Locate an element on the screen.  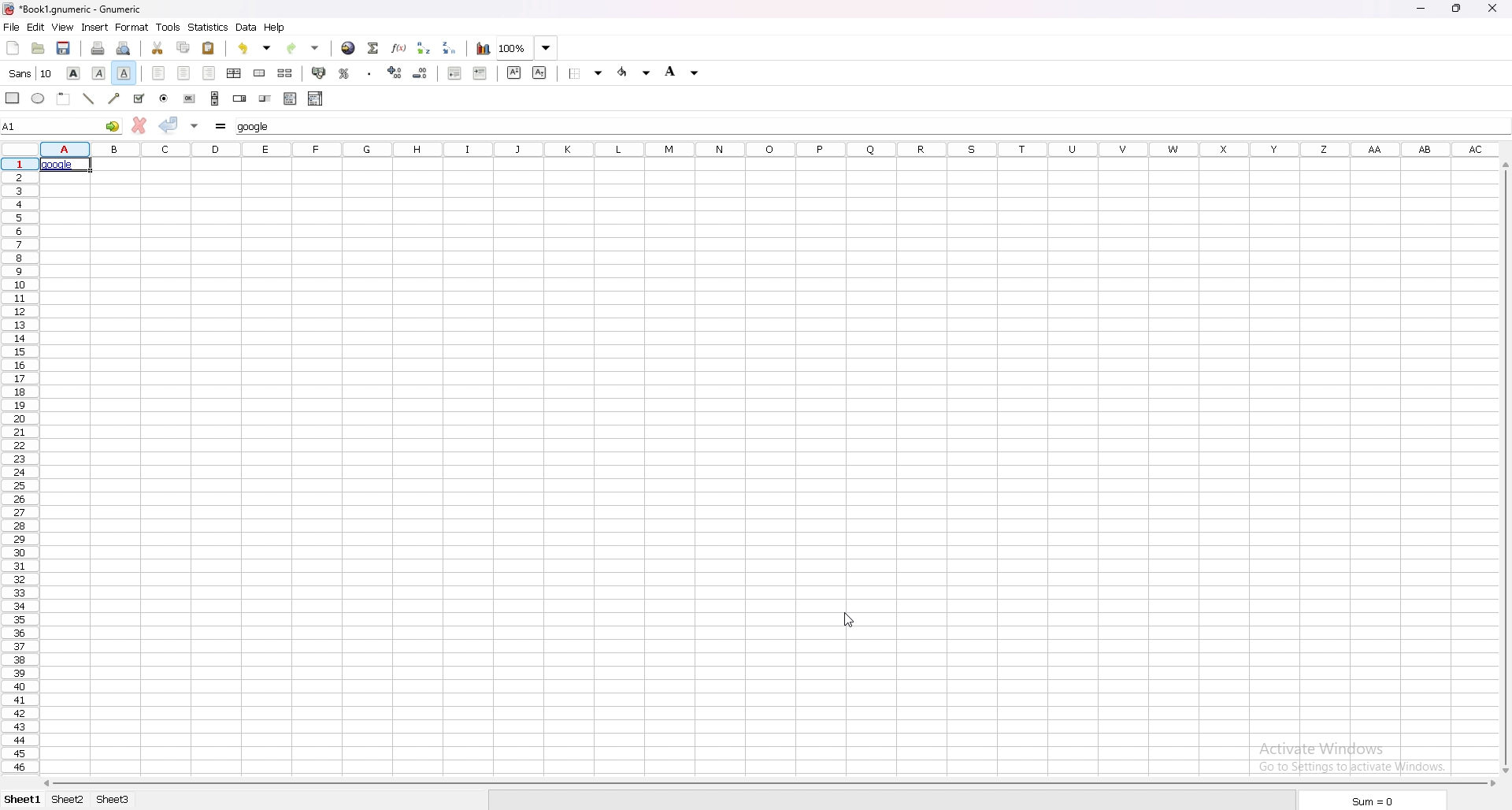
format is located at coordinates (132, 27).